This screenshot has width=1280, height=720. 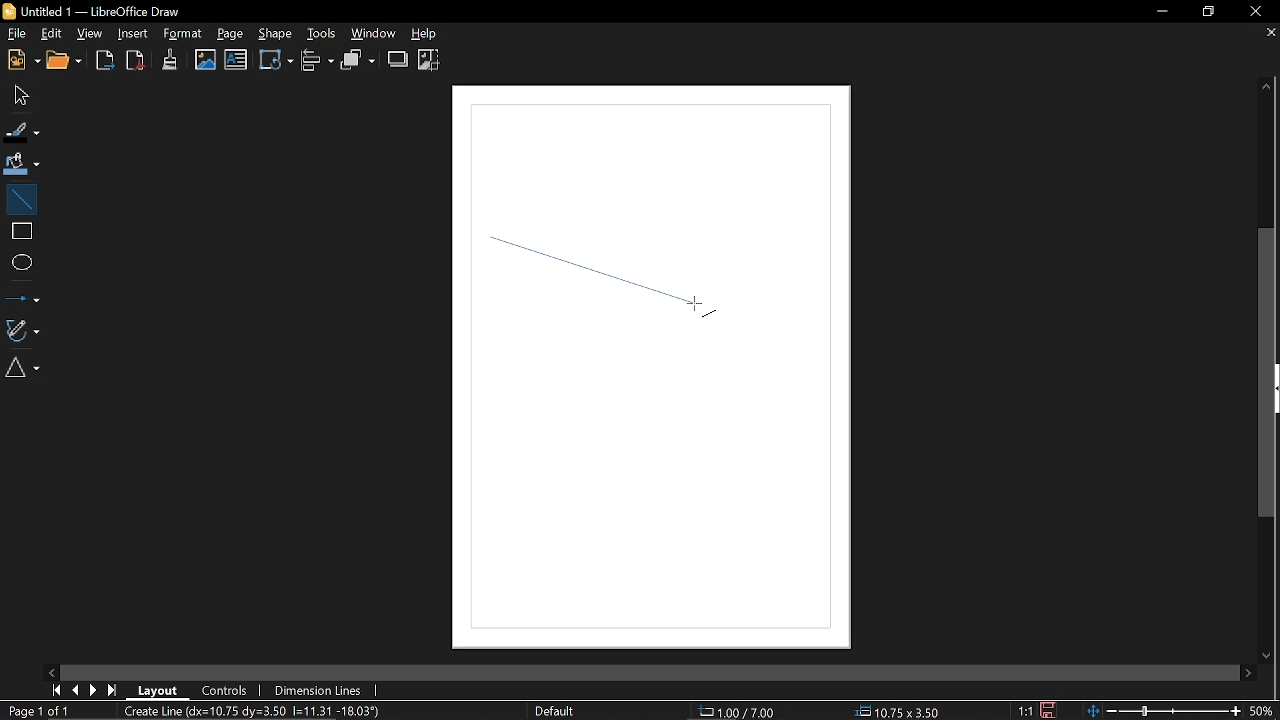 What do you see at coordinates (65, 61) in the screenshot?
I see `Open` at bounding box center [65, 61].